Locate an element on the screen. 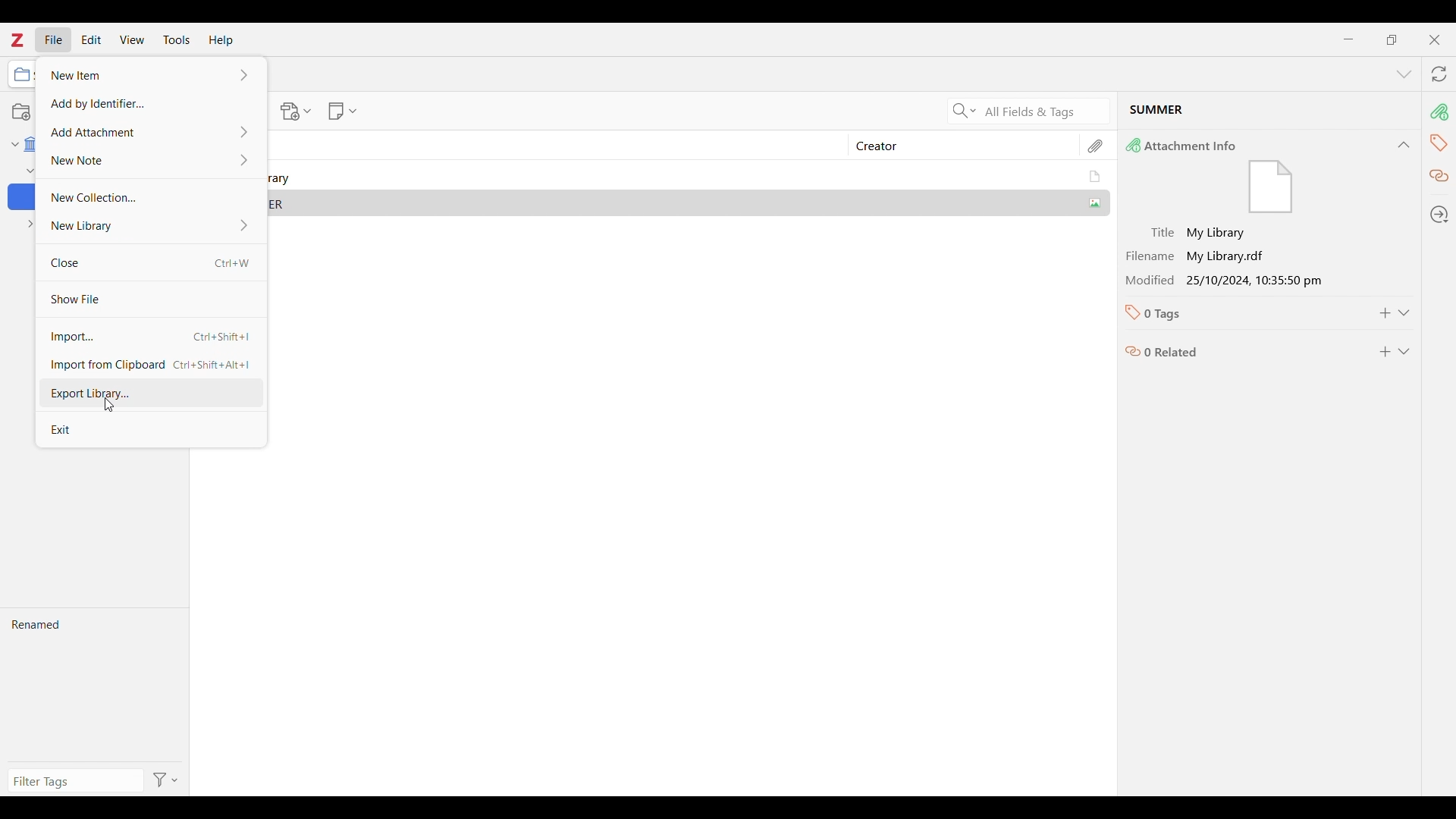 Image resolution: width=1456 pixels, height=819 pixels. My Library is located at coordinates (686, 177).